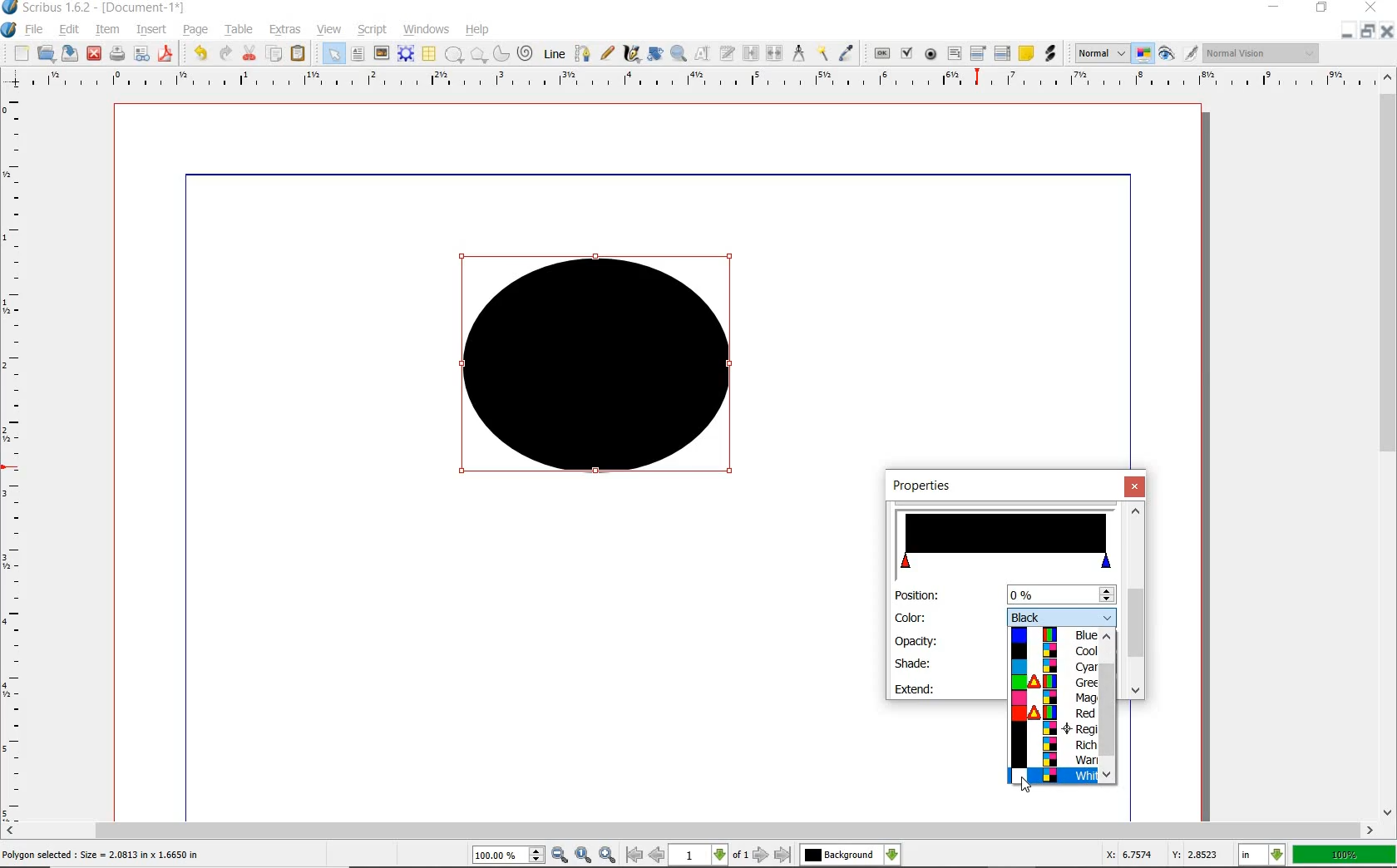  Describe the element at coordinates (1025, 52) in the screenshot. I see `TEXT ANNOATATION` at that location.